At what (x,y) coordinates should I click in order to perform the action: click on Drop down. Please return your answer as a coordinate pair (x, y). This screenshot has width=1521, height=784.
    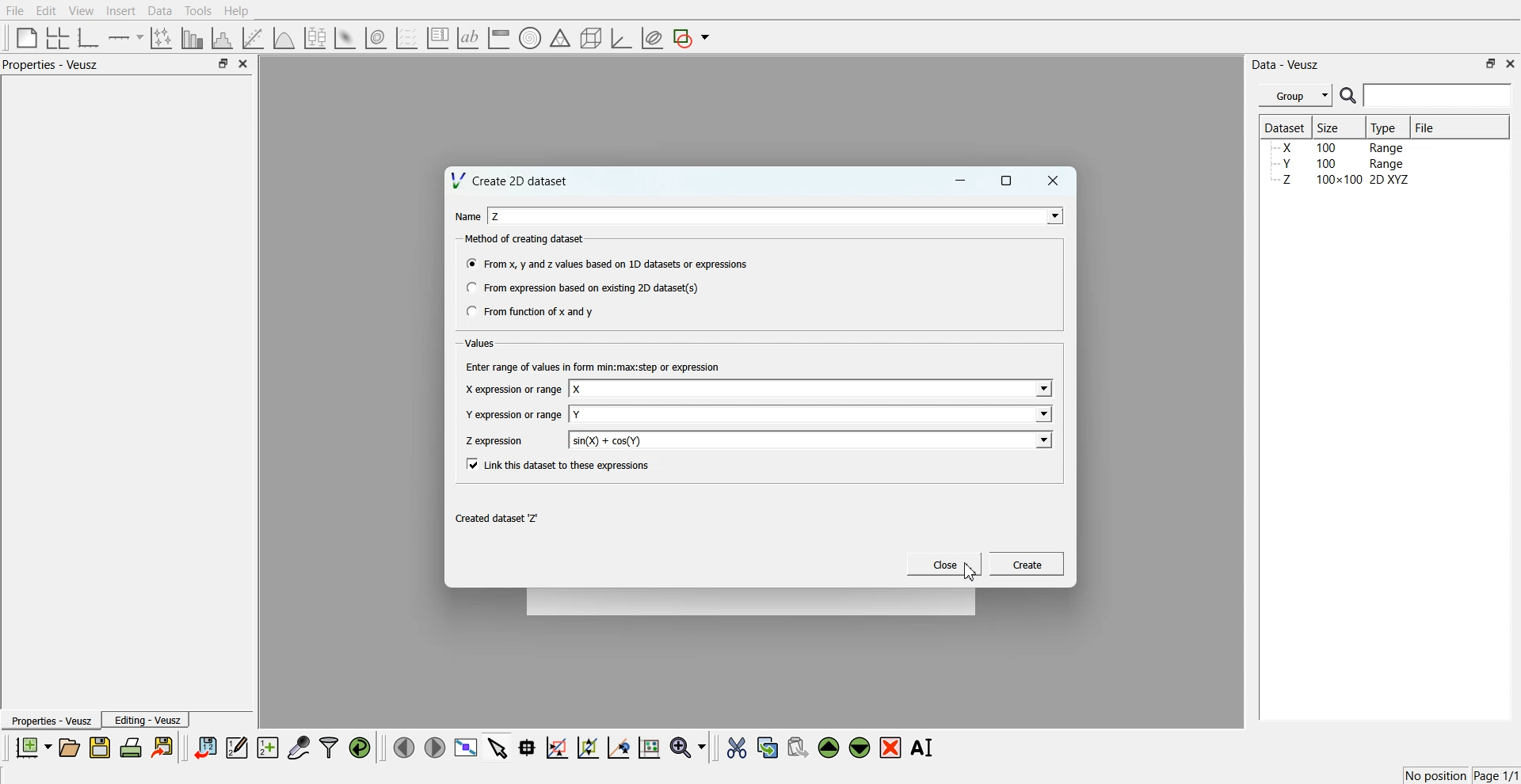
    Looking at the image, I should click on (1043, 440).